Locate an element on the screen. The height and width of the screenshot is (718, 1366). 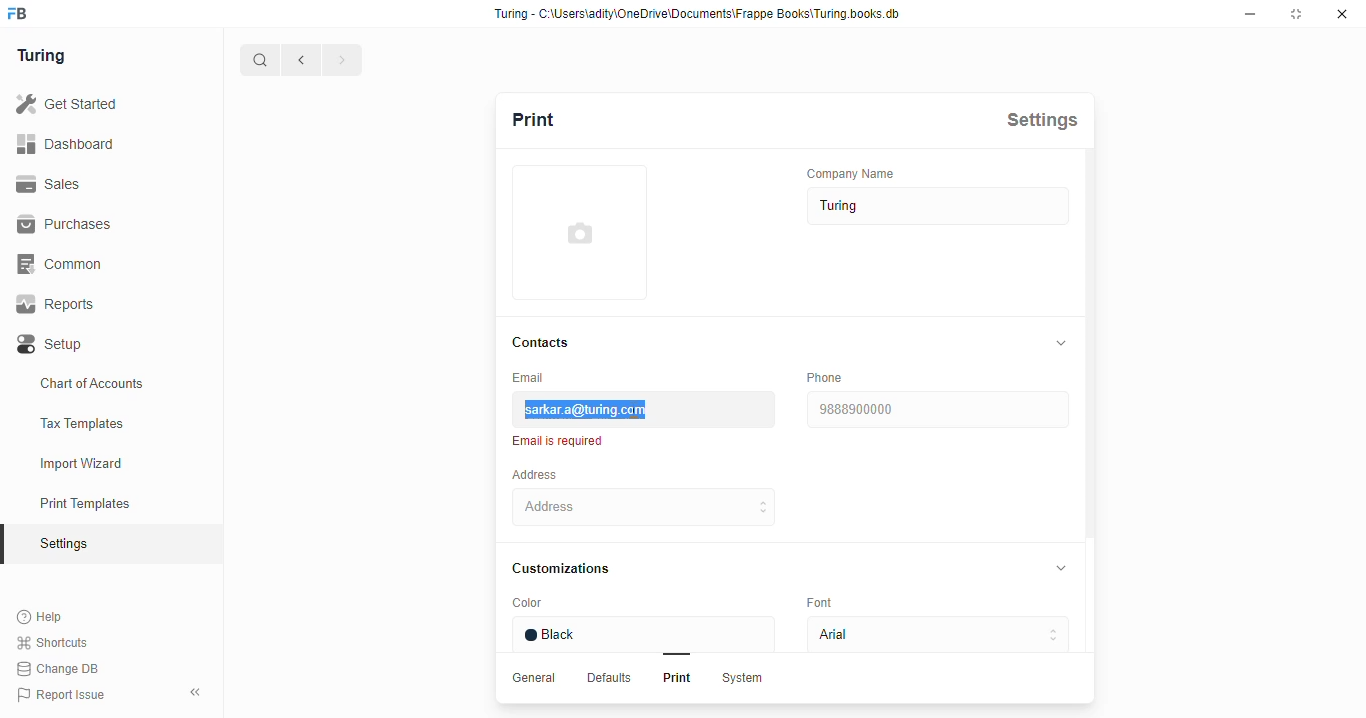
Email is required is located at coordinates (562, 441).